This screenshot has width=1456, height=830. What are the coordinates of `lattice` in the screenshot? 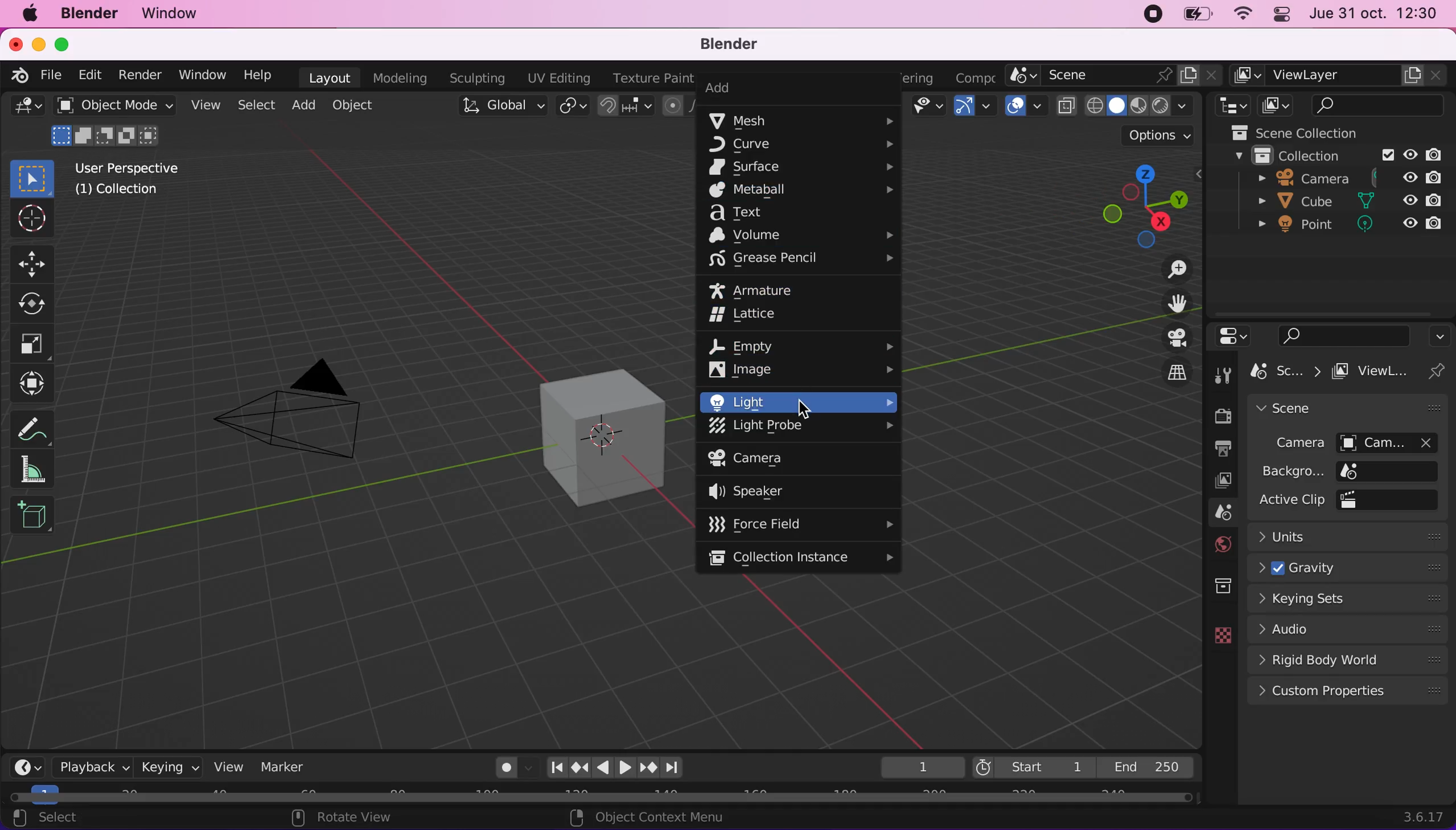 It's located at (770, 315).